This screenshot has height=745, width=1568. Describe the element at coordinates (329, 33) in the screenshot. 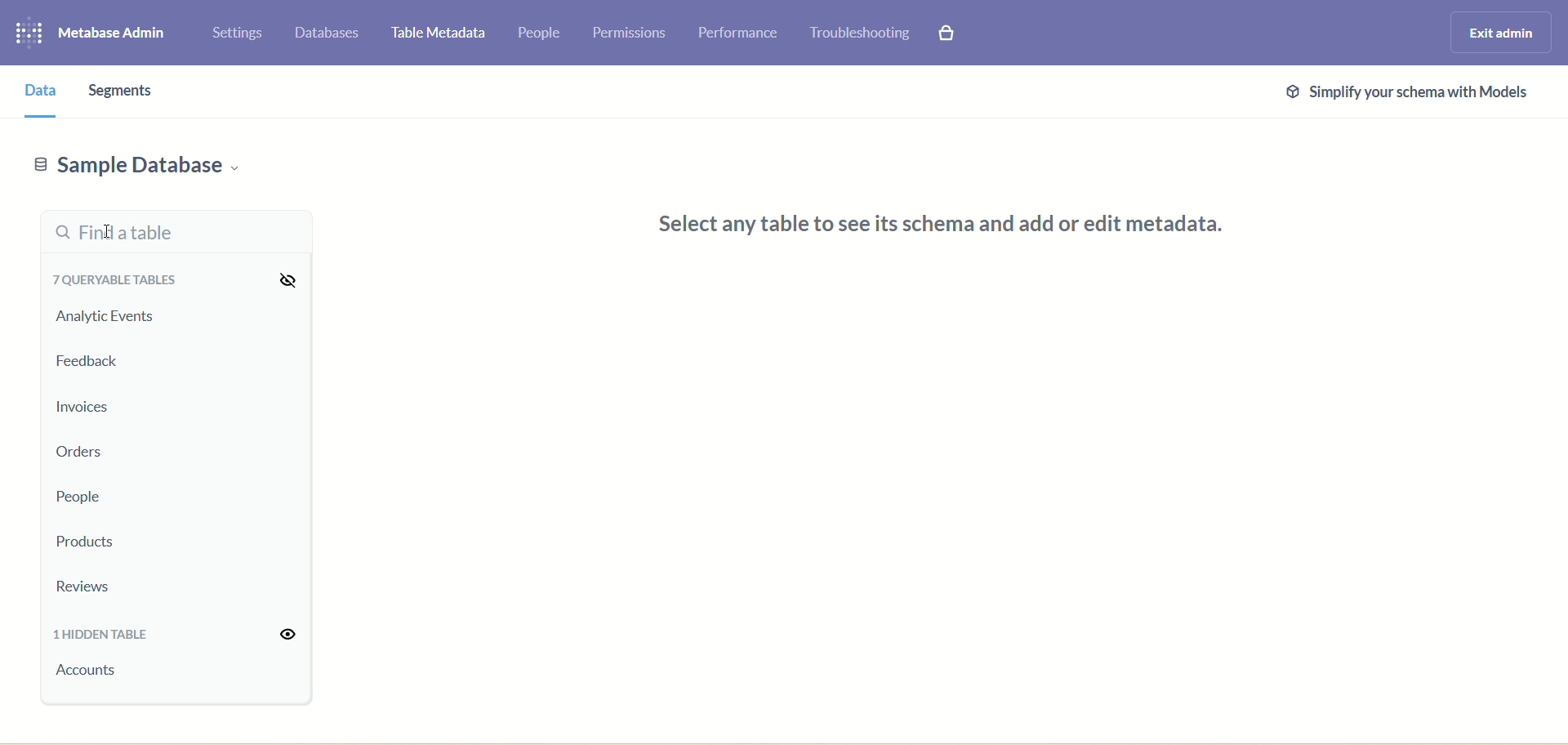

I see `databases` at that location.